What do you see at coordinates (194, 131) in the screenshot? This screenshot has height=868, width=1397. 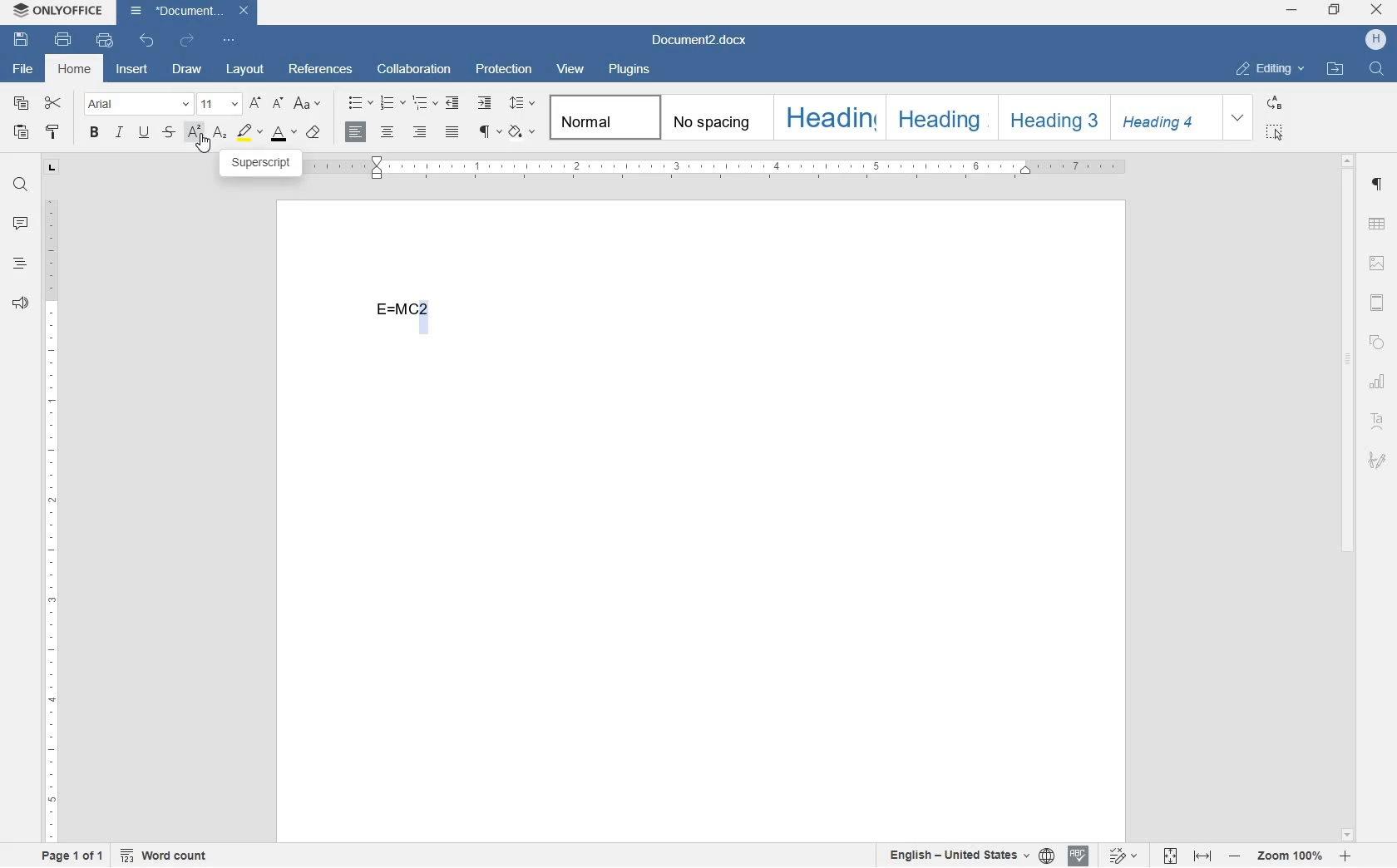 I see `superscript` at bounding box center [194, 131].